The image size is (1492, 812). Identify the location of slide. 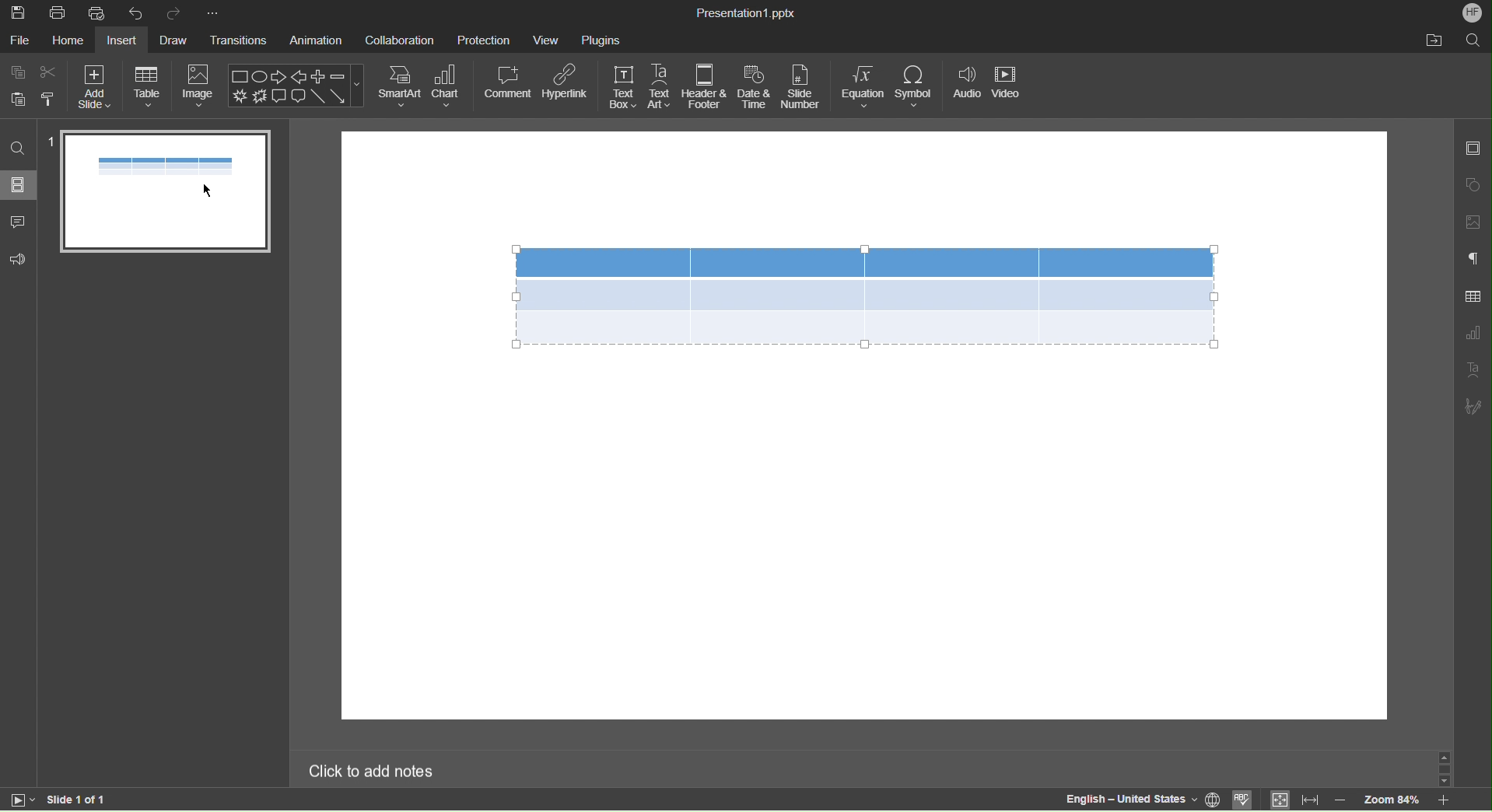
(166, 192).